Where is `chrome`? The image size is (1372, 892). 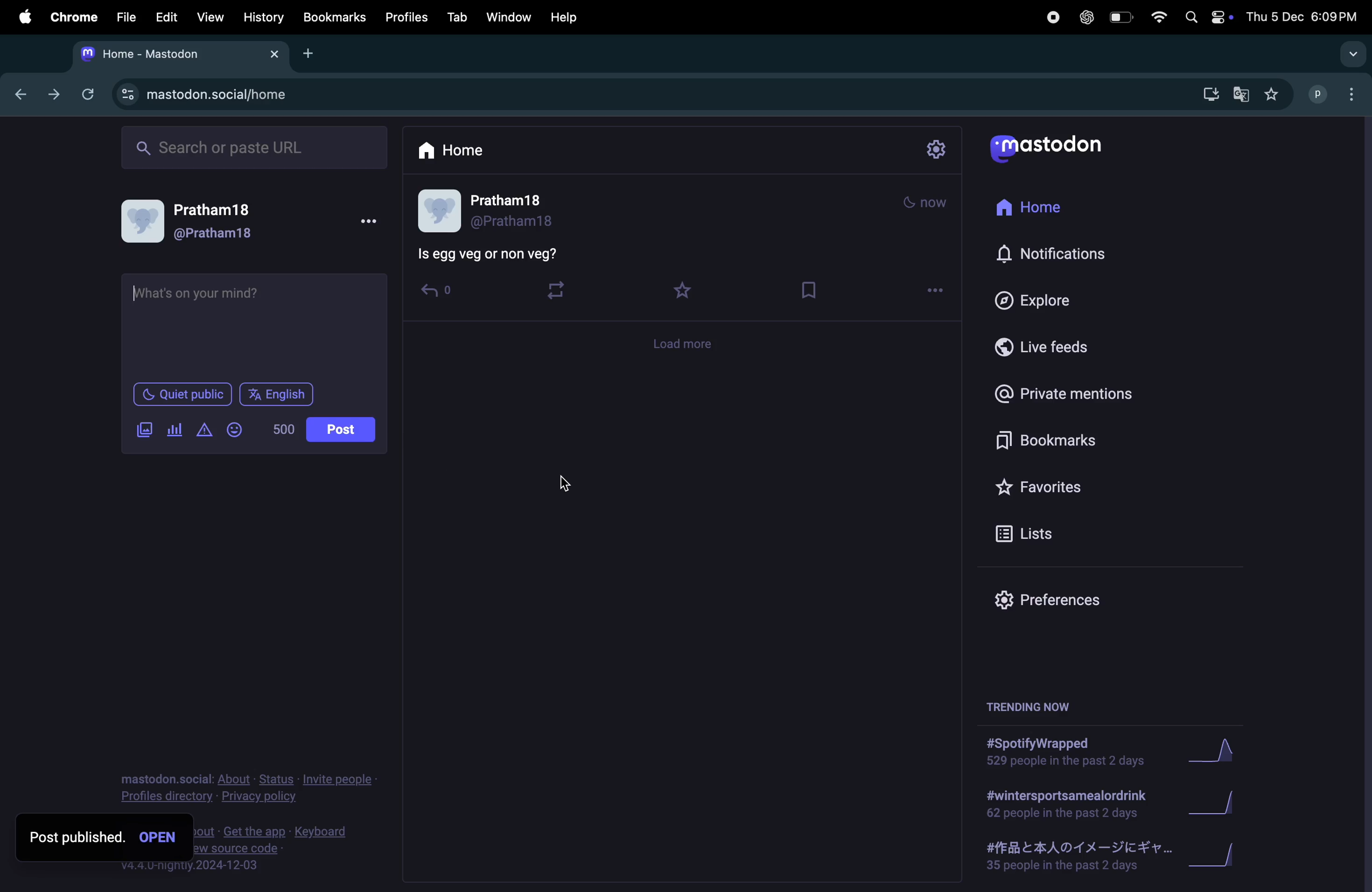
chrome is located at coordinates (70, 16).